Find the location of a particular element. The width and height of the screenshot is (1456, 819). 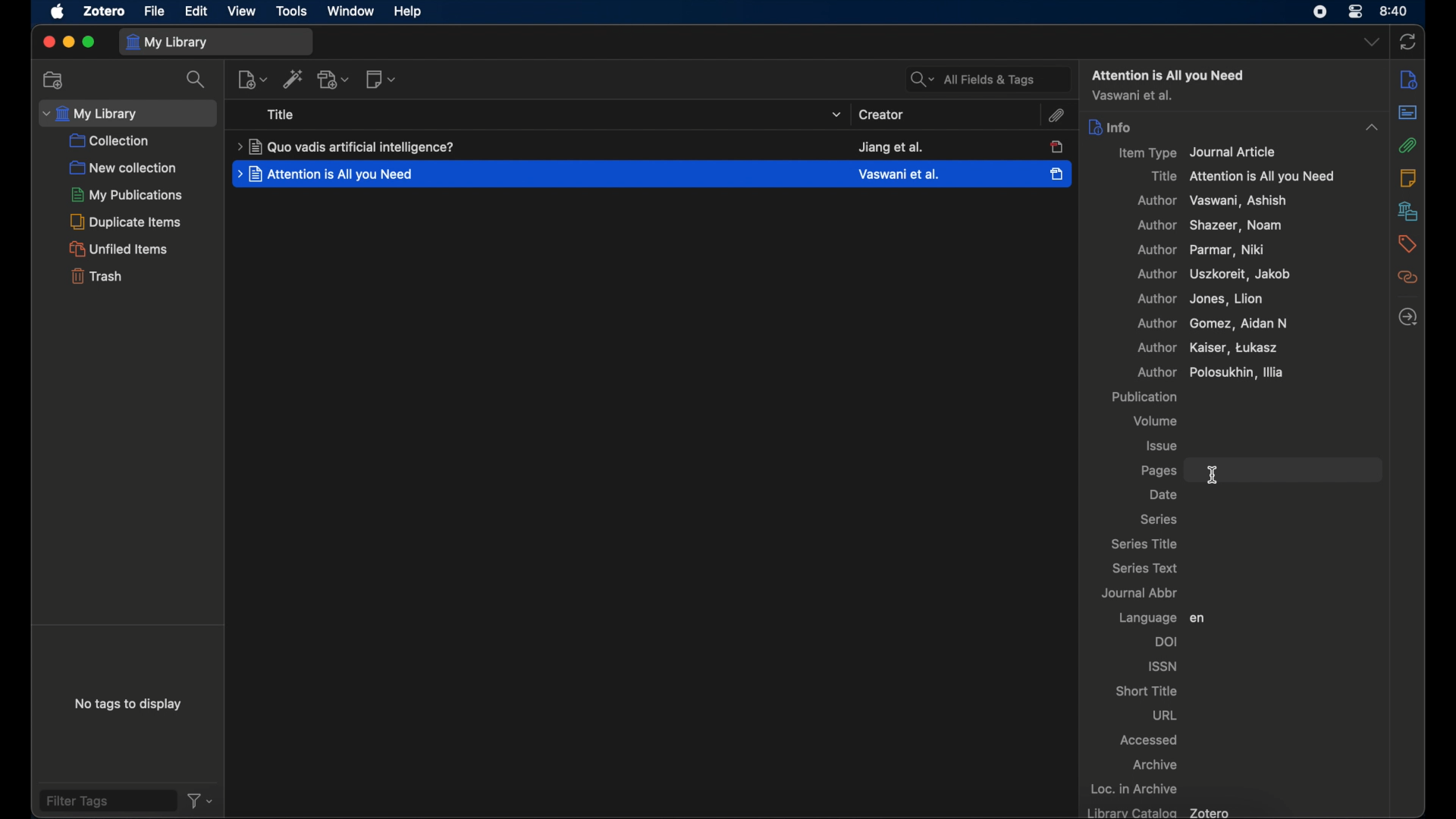

filter tags field is located at coordinates (107, 801).